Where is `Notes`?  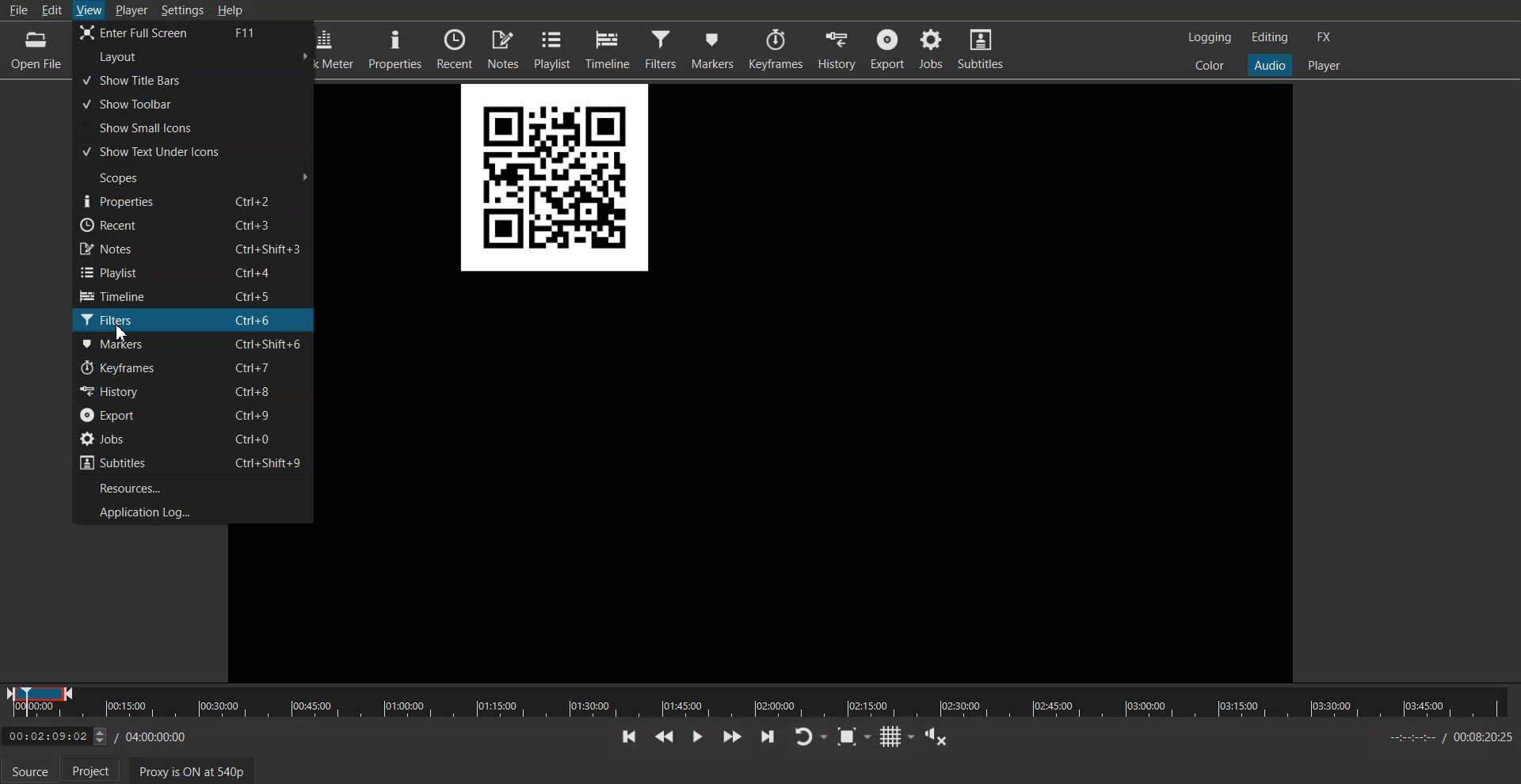
Notes is located at coordinates (504, 48).